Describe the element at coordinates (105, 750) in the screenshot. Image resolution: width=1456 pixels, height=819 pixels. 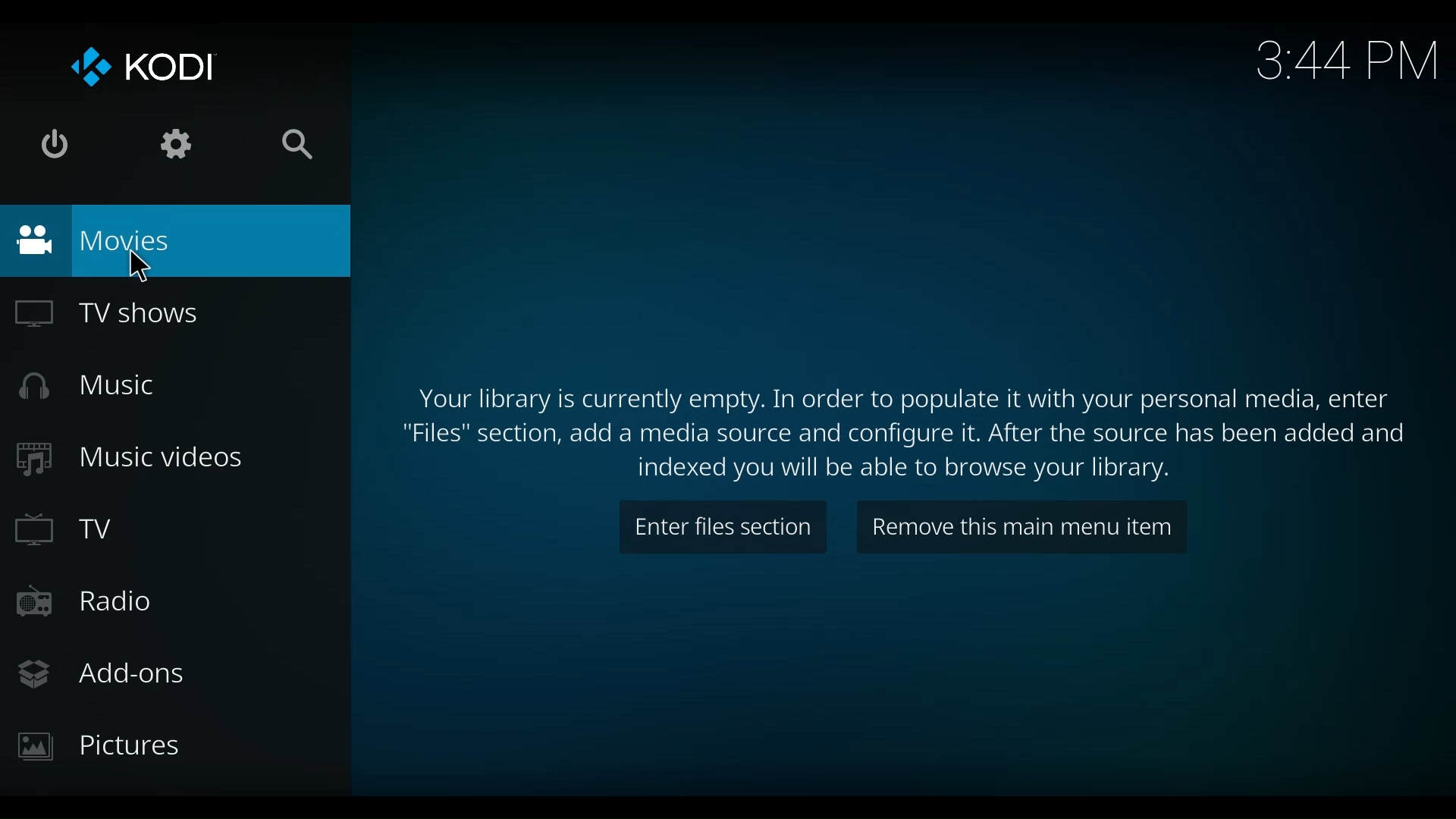
I see `Pictures` at that location.